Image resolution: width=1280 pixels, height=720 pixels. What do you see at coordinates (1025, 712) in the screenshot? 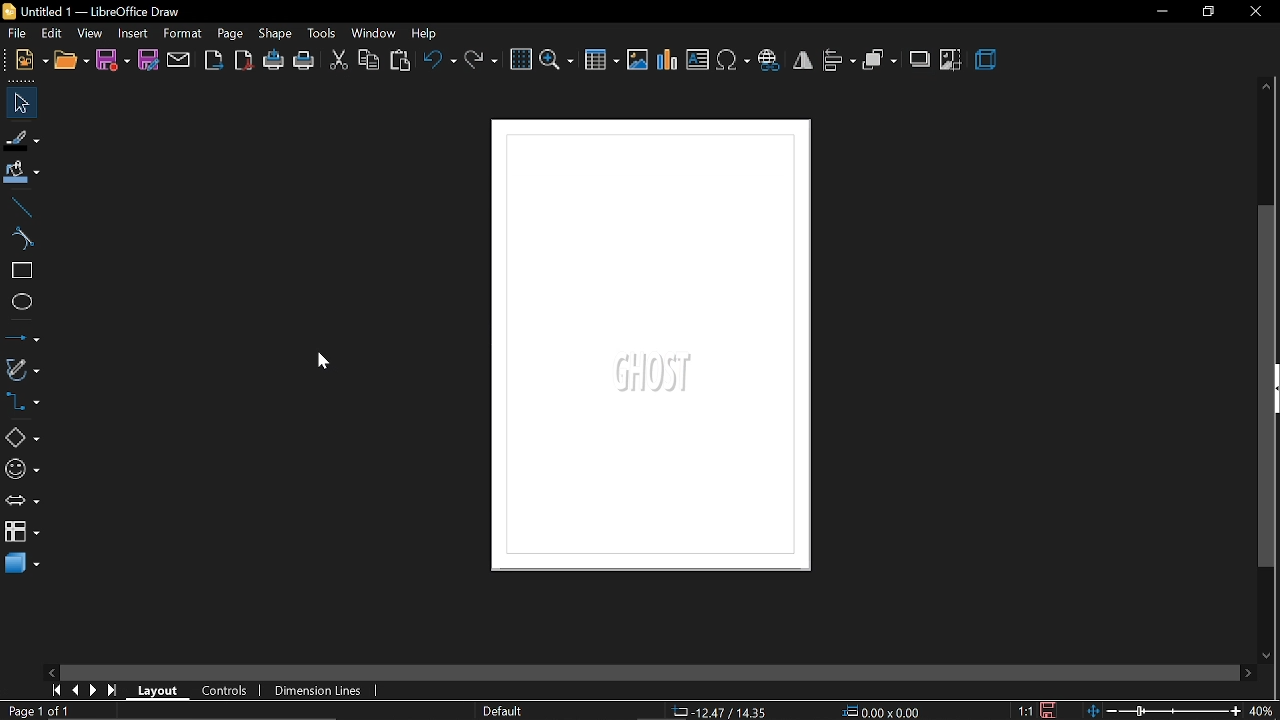
I see `scaling factor` at bounding box center [1025, 712].